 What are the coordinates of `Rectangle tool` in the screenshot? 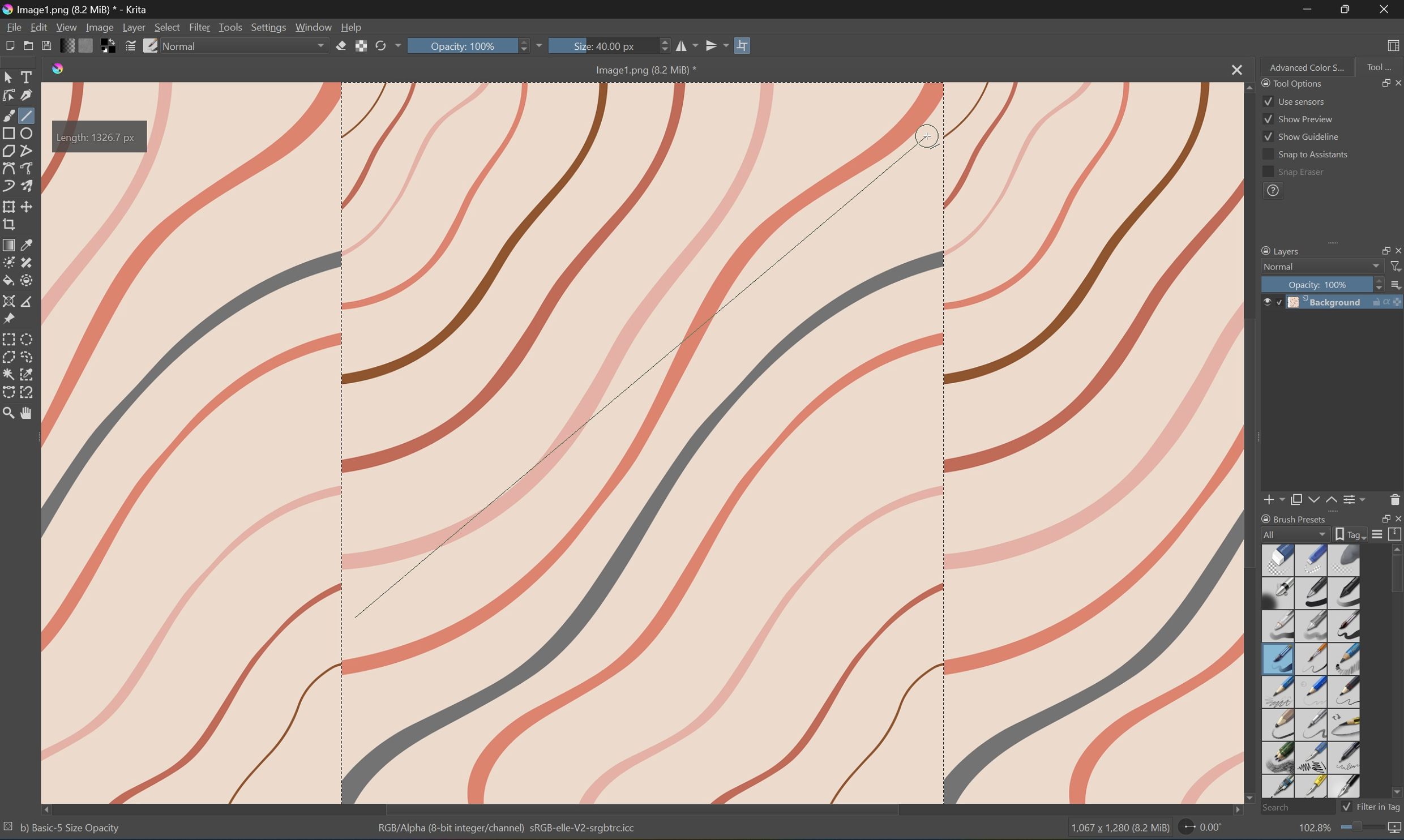 It's located at (9, 133).